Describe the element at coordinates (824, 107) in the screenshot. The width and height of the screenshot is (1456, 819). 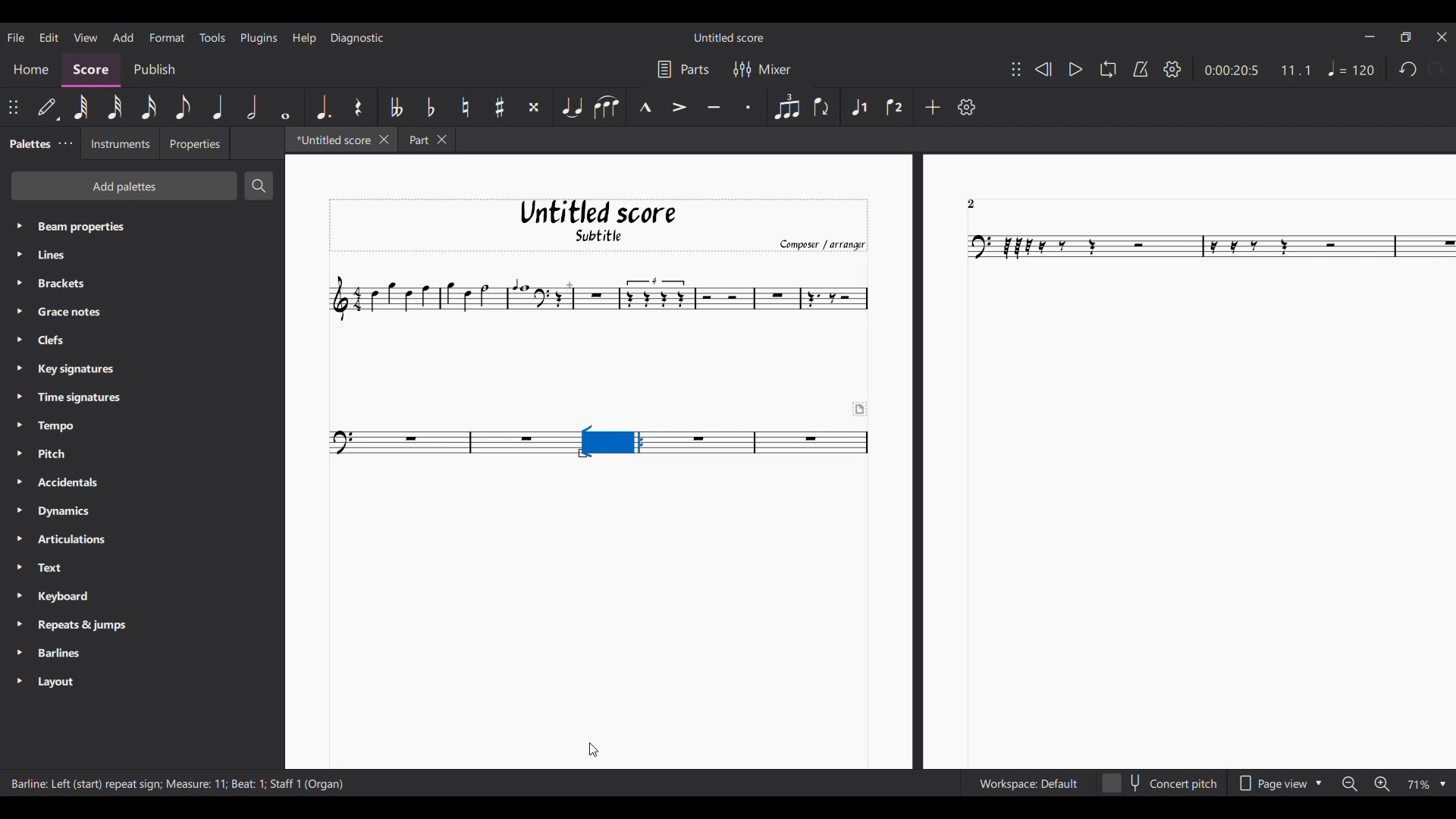
I see `Flip direction` at that location.